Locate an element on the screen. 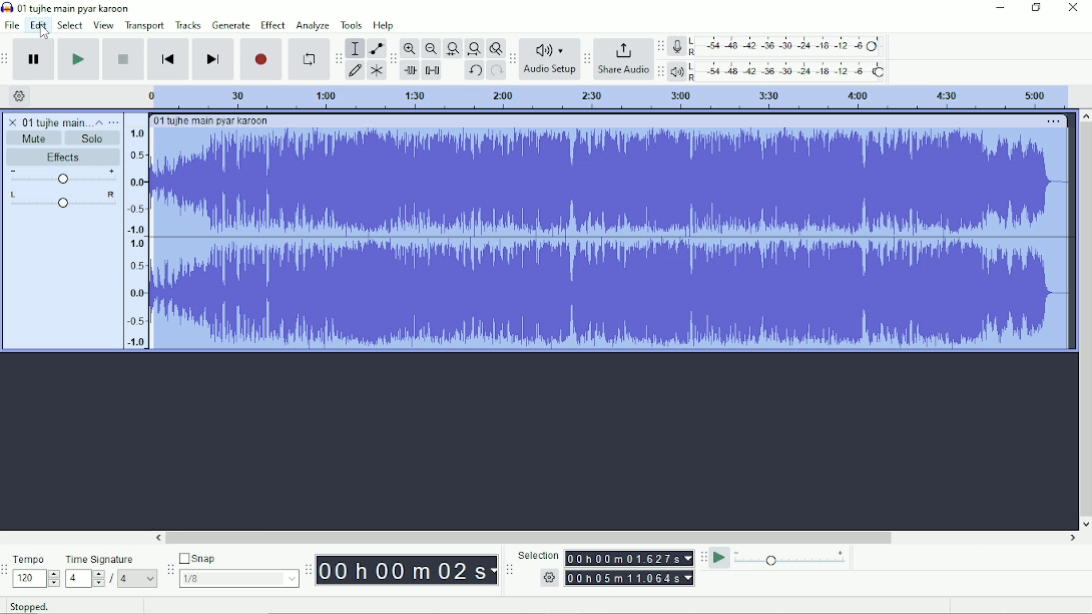 The image size is (1092, 614). File is located at coordinates (12, 25).